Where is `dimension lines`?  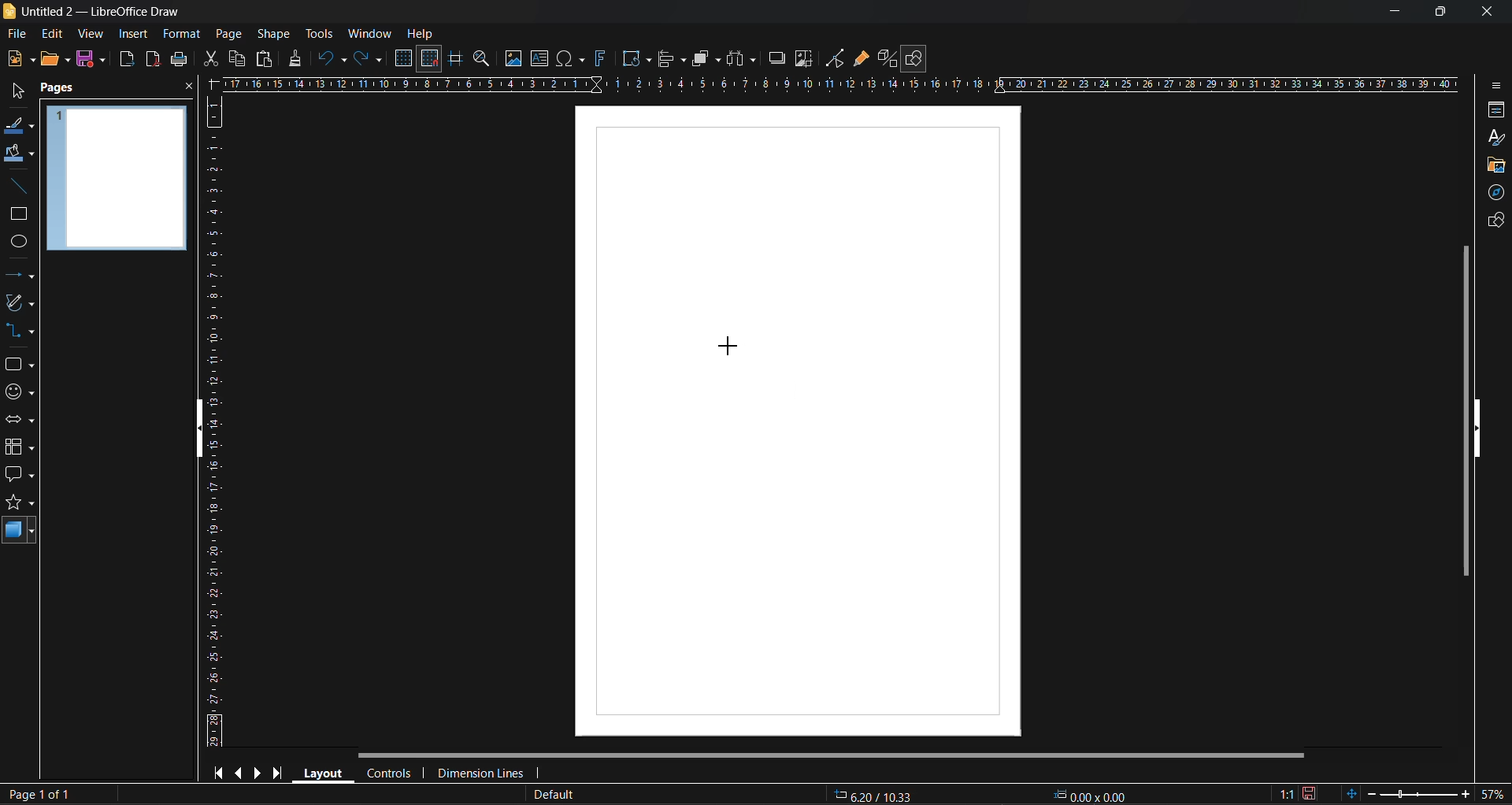 dimension lines is located at coordinates (481, 770).